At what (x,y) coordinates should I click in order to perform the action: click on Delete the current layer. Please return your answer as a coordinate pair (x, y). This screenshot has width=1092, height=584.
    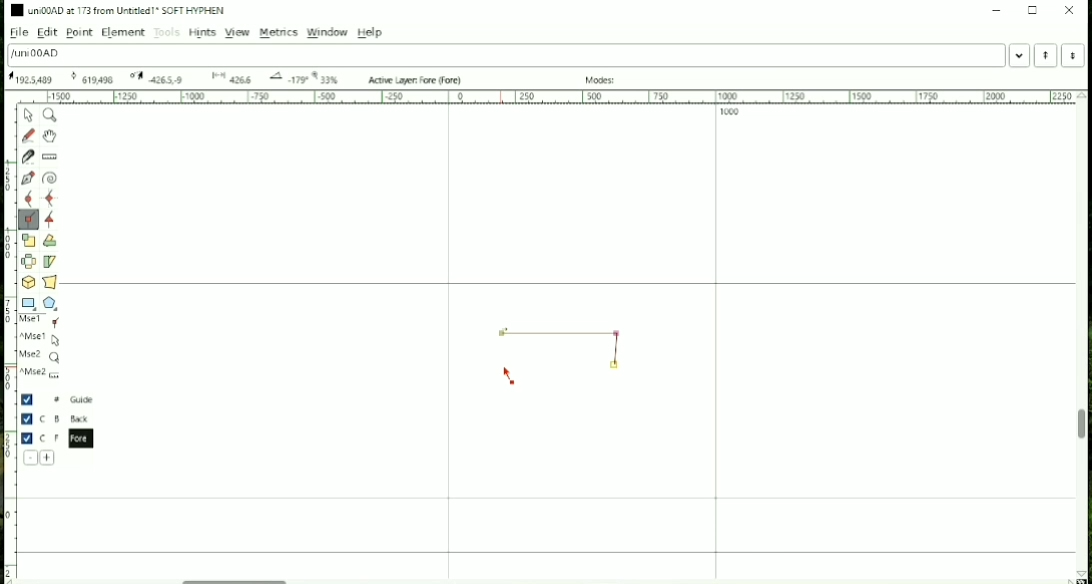
    Looking at the image, I should click on (31, 458).